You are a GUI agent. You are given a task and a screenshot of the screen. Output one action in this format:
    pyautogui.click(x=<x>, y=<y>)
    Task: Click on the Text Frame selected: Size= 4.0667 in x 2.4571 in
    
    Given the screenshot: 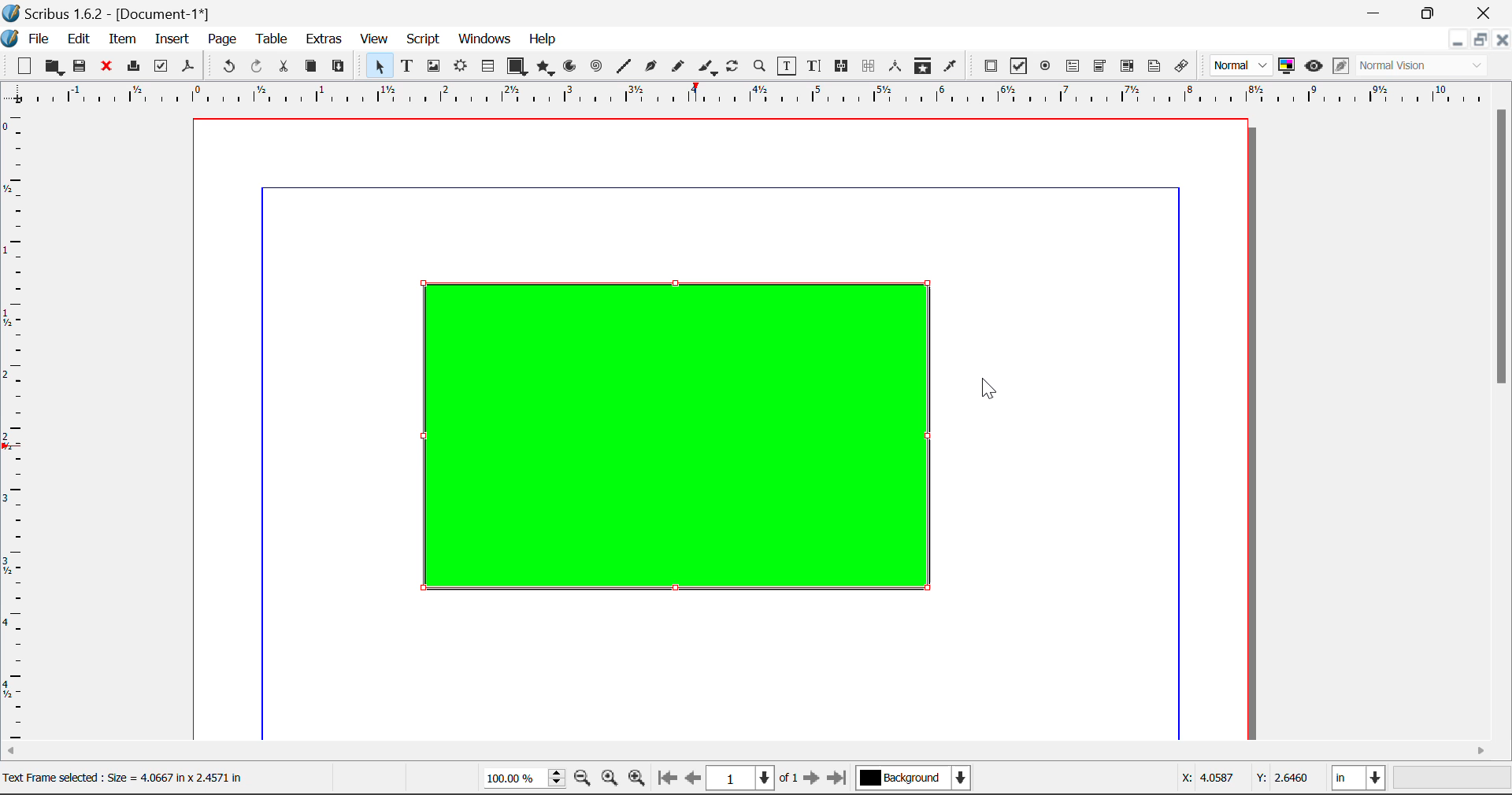 What is the action you would take?
    pyautogui.click(x=123, y=776)
    